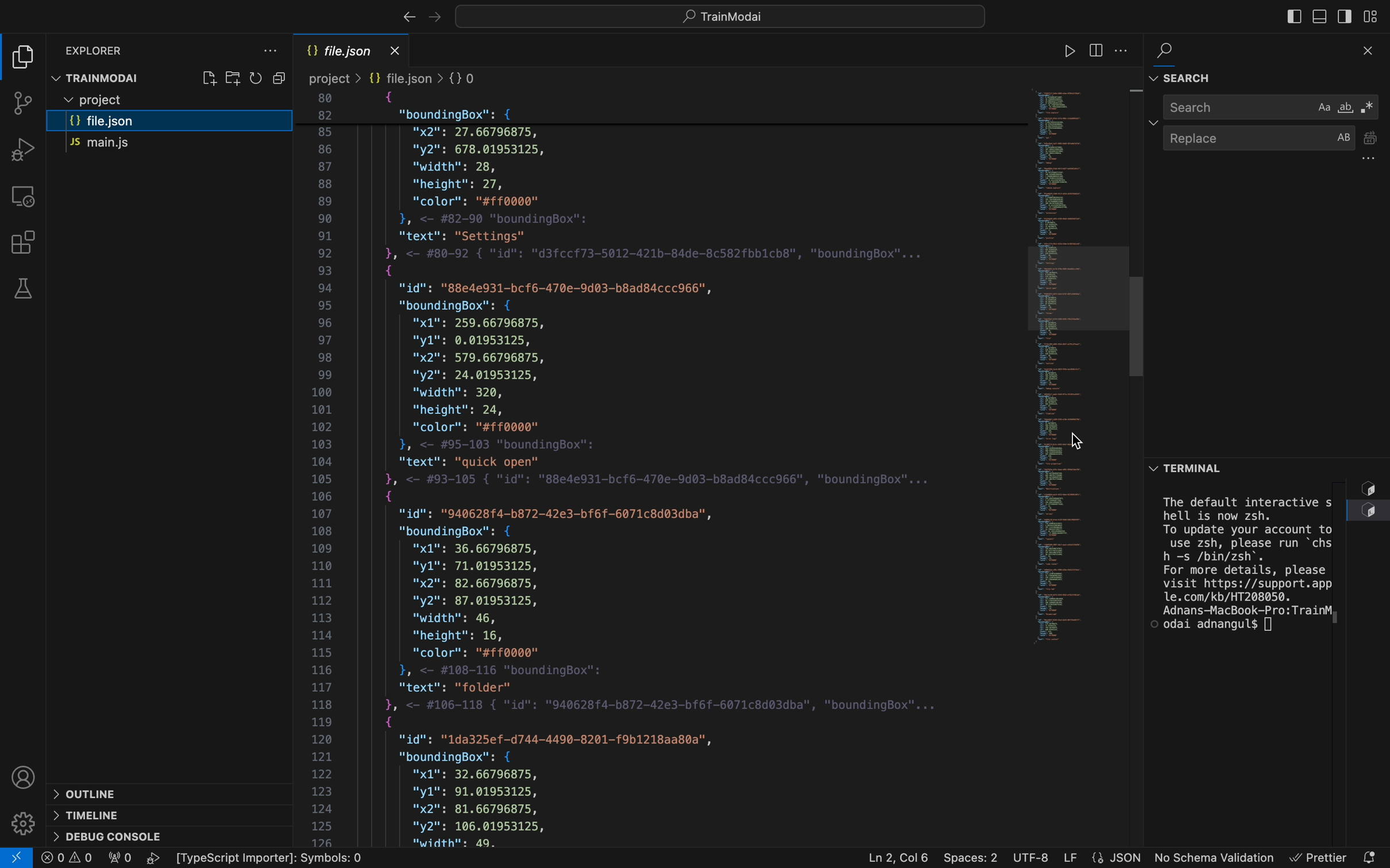 The height and width of the screenshot is (868, 1390). Describe the element at coordinates (414, 13) in the screenshot. I see `arrows` at that location.